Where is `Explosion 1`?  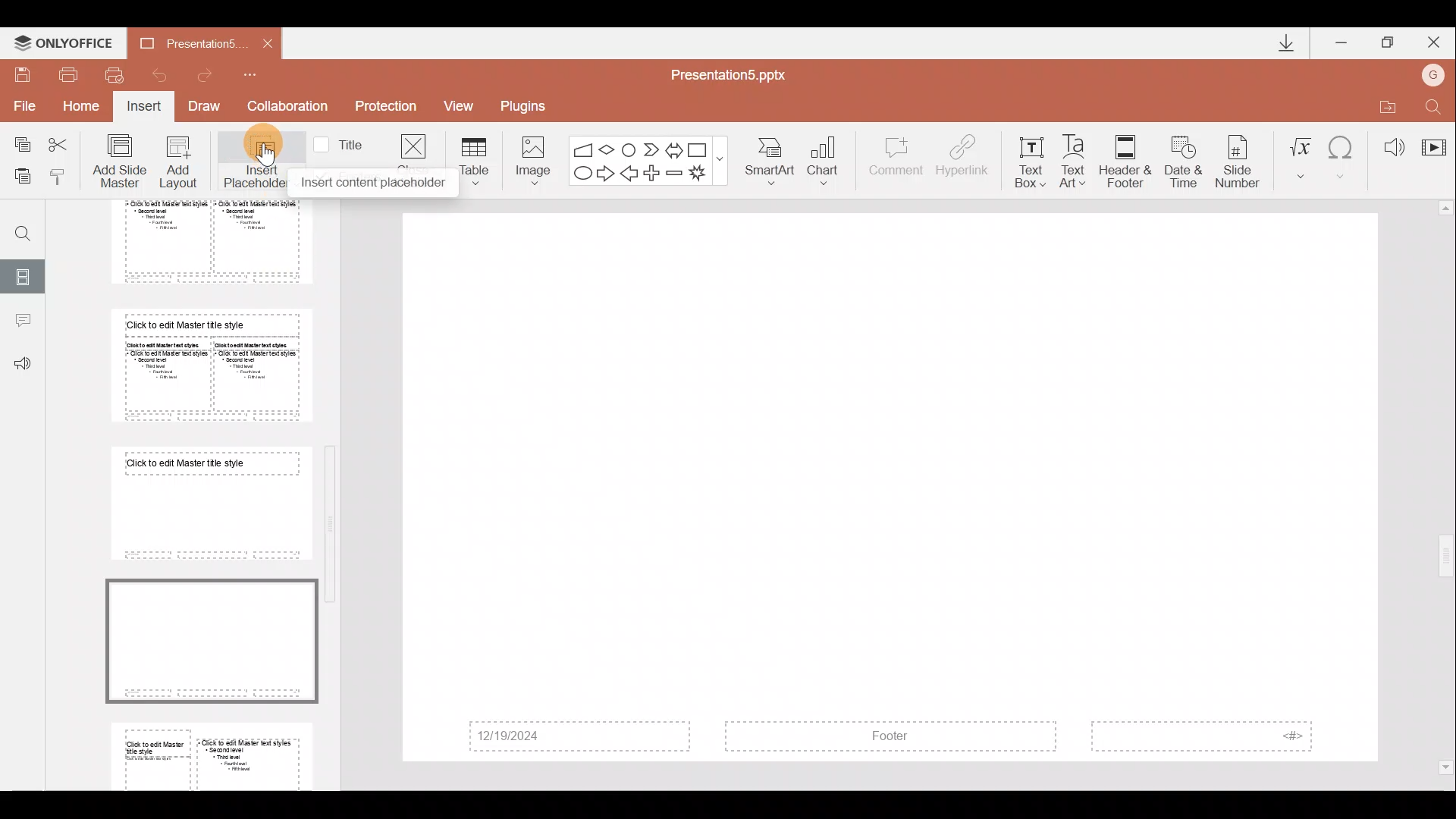
Explosion 1 is located at coordinates (704, 174).